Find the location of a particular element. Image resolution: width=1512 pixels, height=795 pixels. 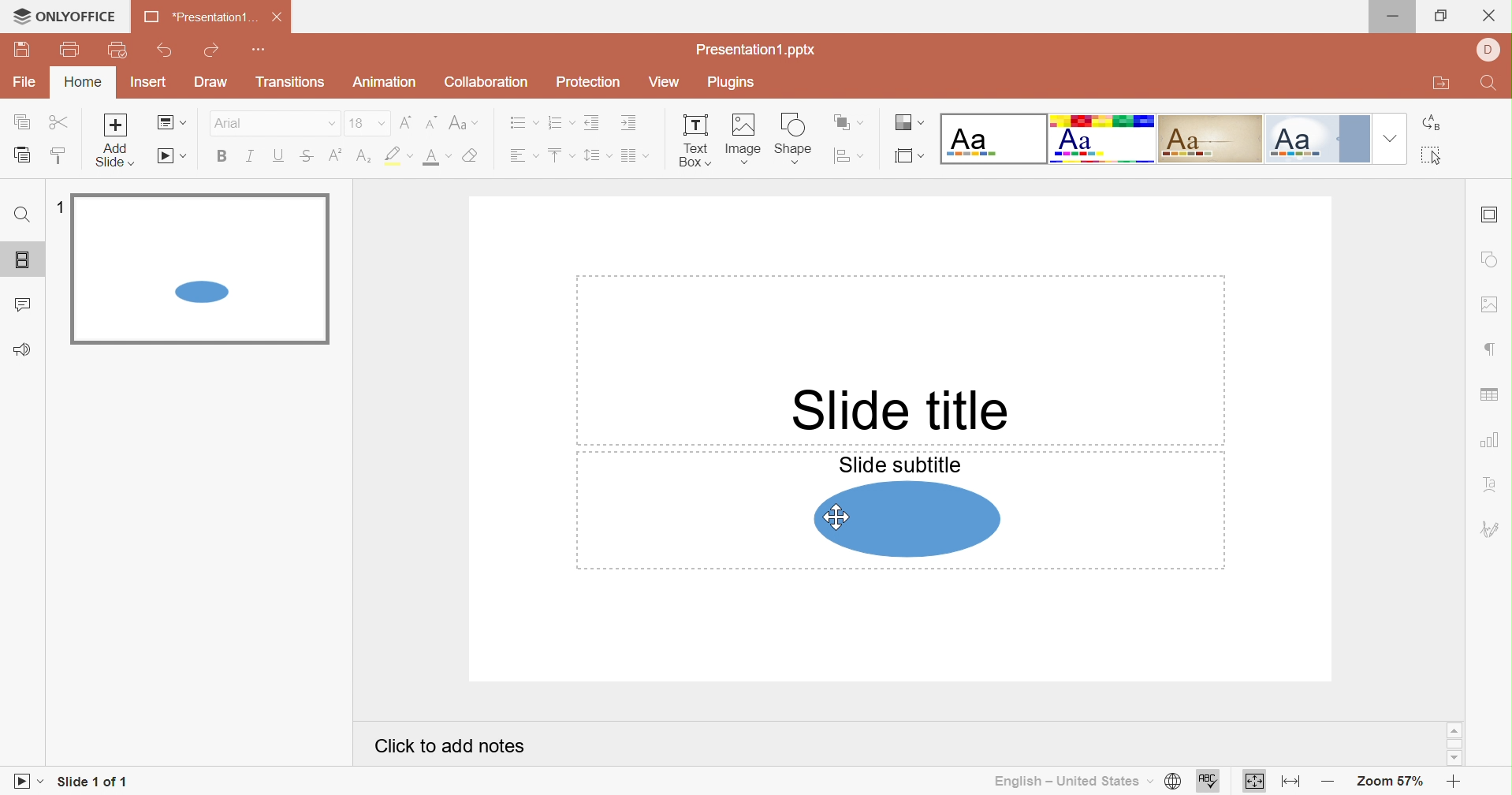

Collaboration is located at coordinates (486, 82).